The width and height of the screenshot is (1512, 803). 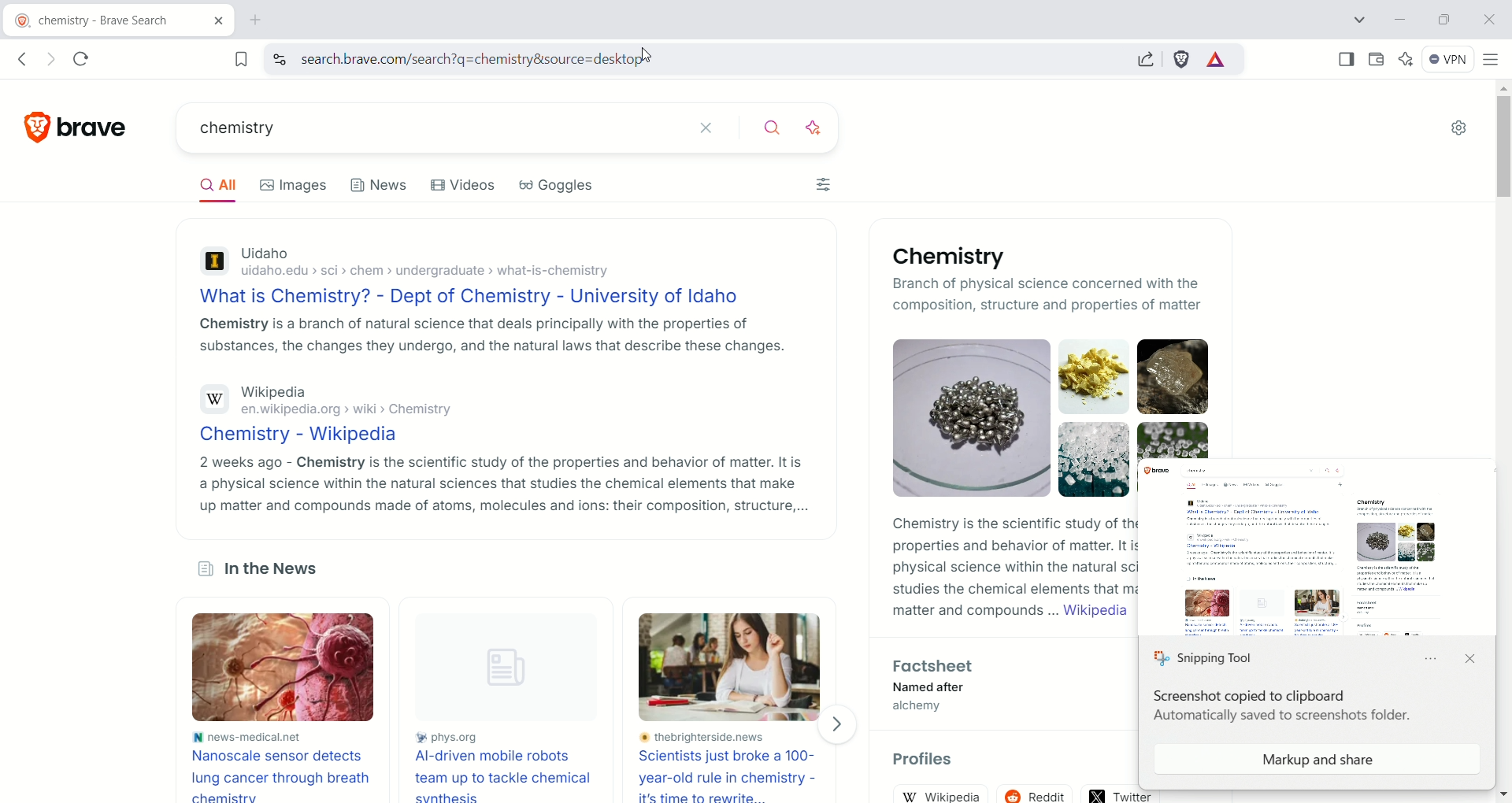 I want to click on branch of physical science concerned with the composition, structure and properties of matter, so click(x=1050, y=296).